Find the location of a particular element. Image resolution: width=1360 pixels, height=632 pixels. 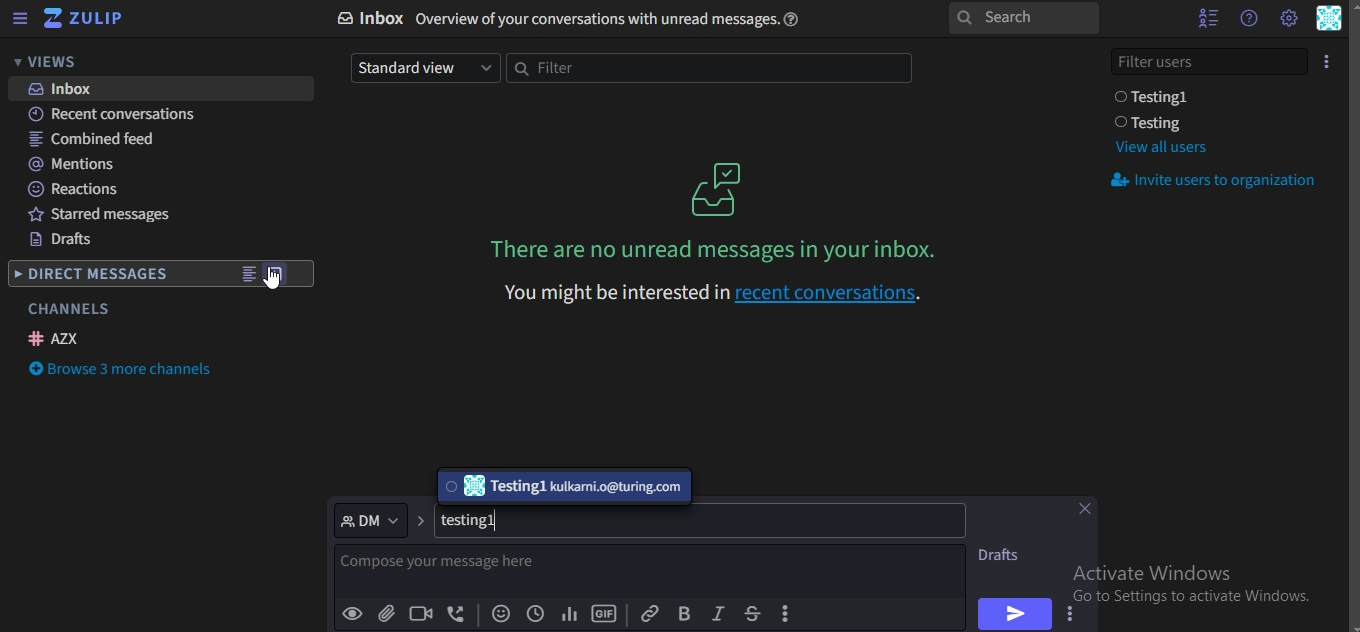

channels is located at coordinates (68, 309).